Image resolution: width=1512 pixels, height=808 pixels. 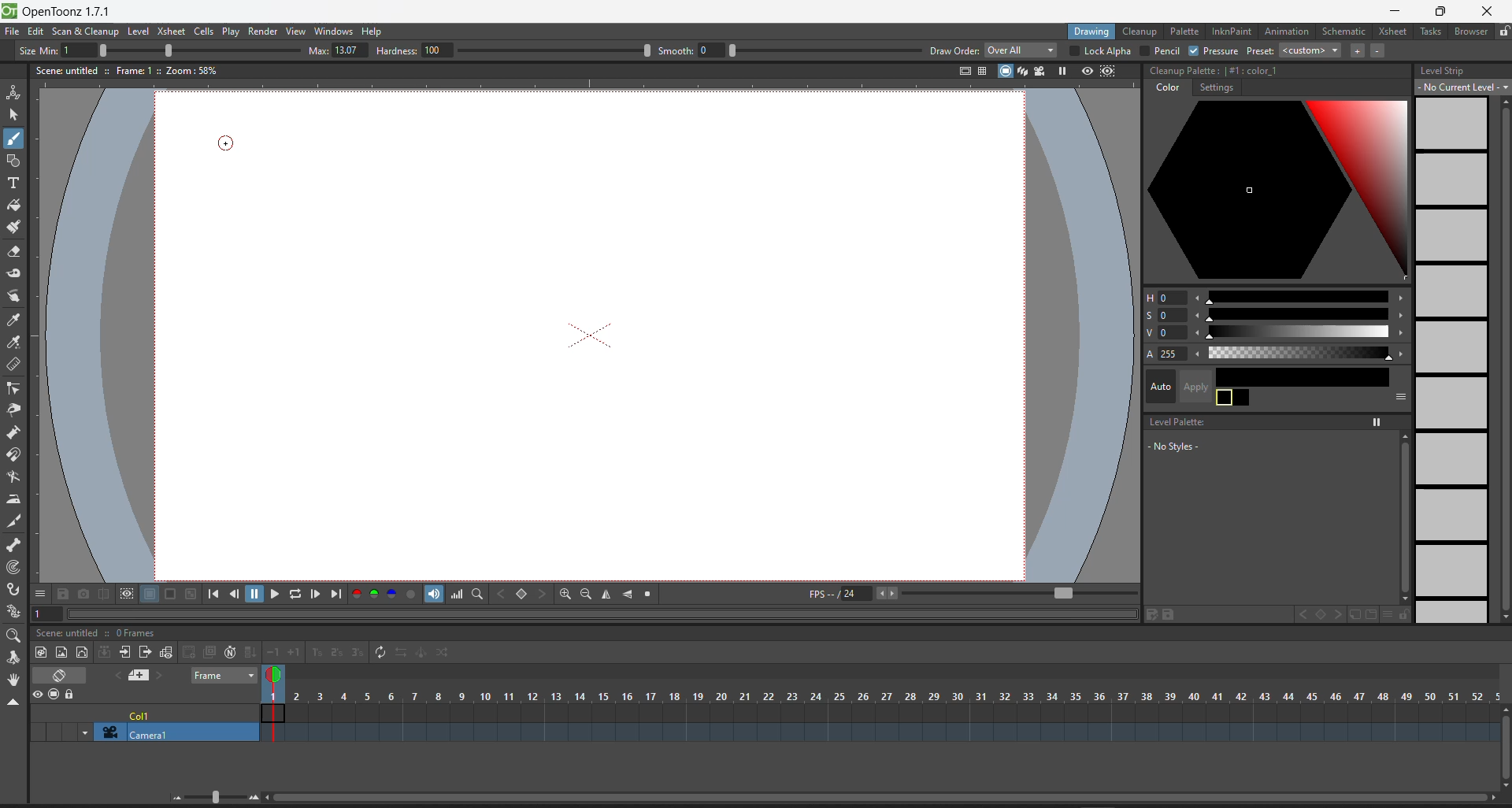 What do you see at coordinates (993, 51) in the screenshot?
I see `draw order` at bounding box center [993, 51].